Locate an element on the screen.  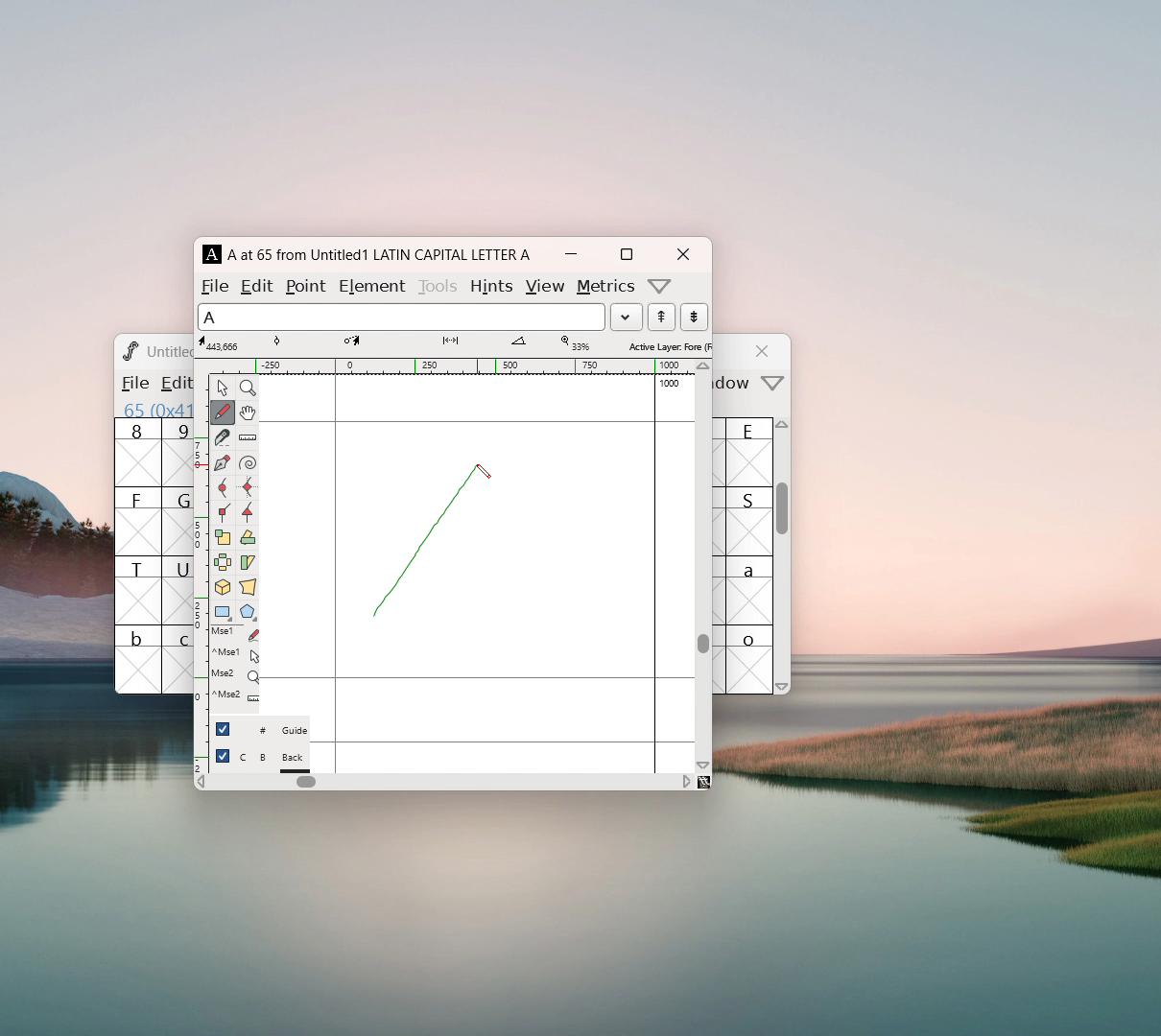
window is located at coordinates (735, 384).